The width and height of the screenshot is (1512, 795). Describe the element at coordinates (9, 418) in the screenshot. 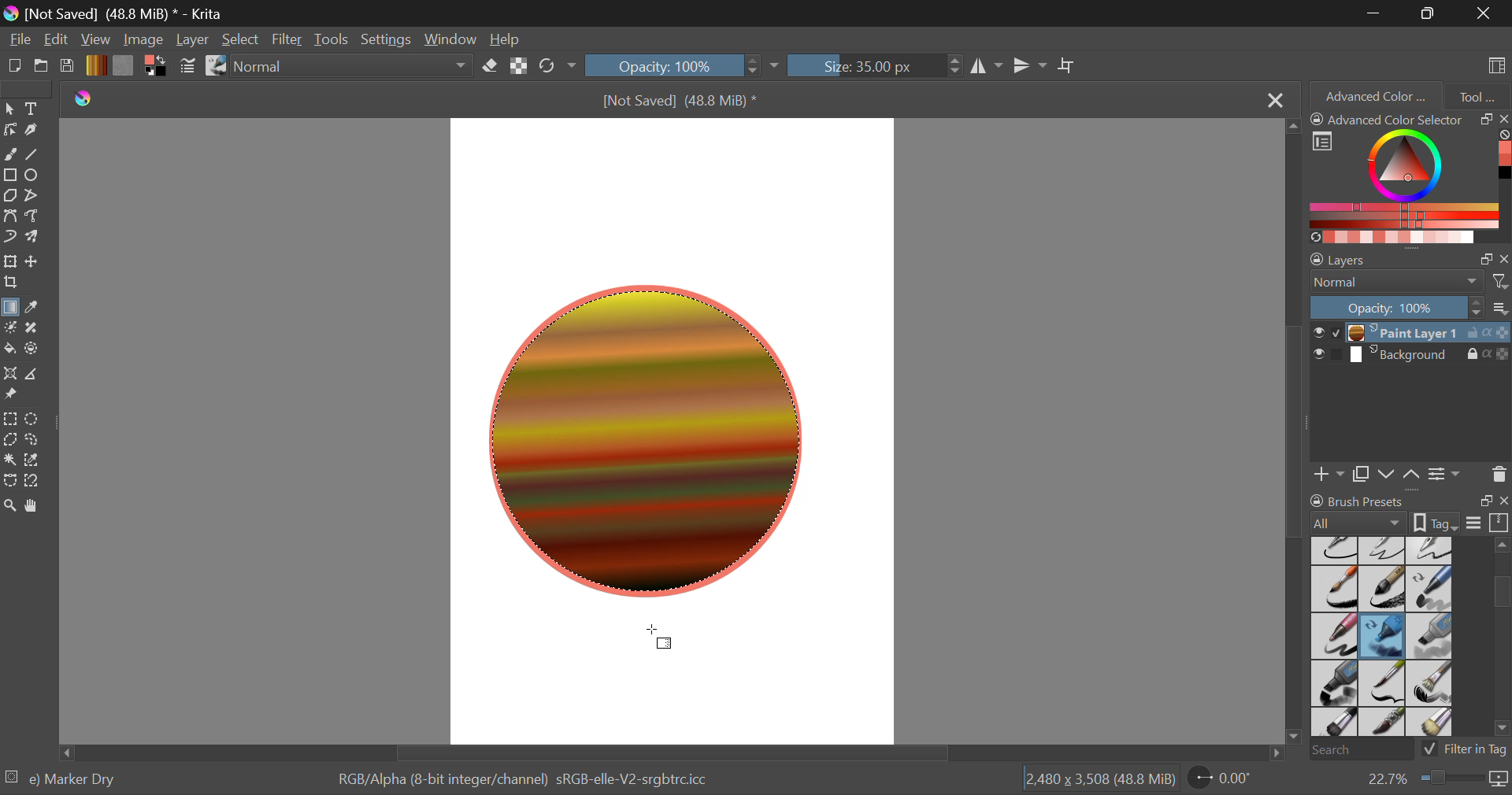

I see `Rectangle Selection Tool` at that location.